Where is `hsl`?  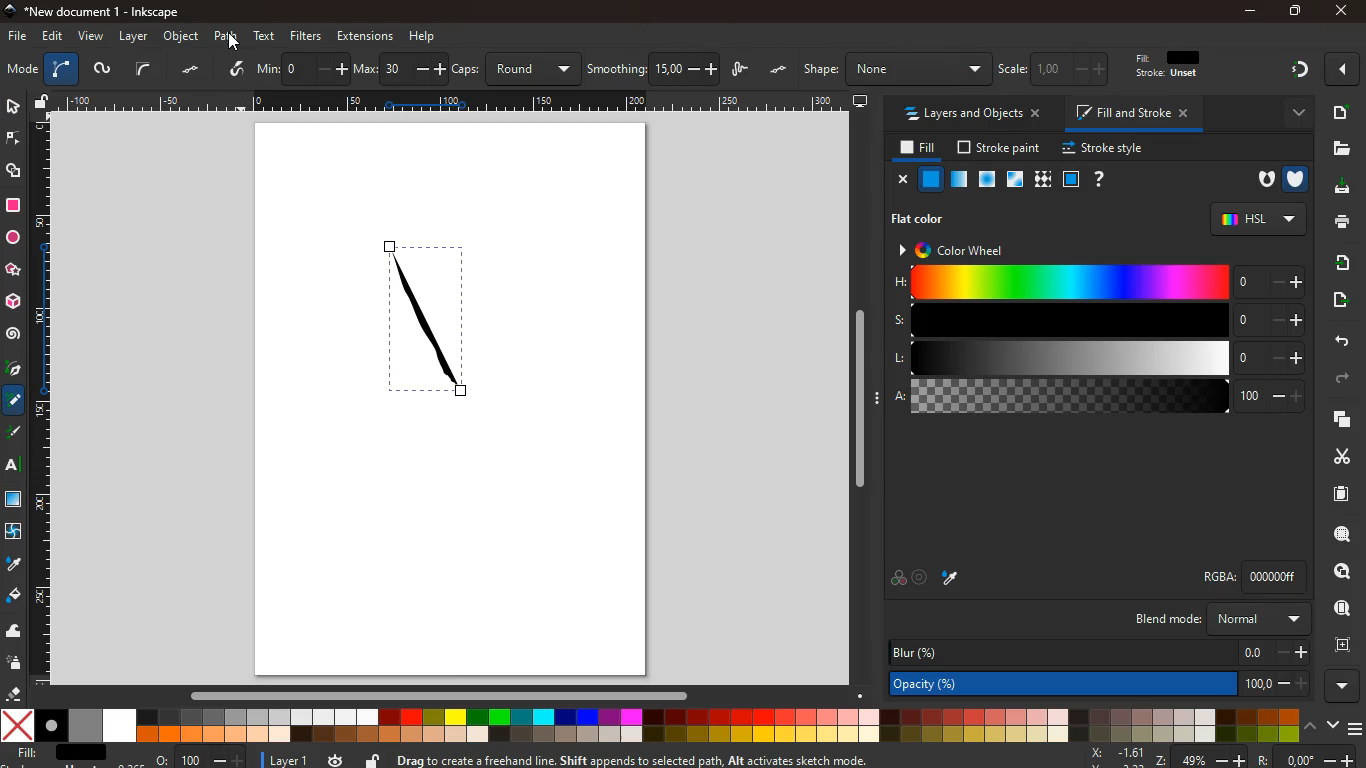
hsl is located at coordinates (1258, 219).